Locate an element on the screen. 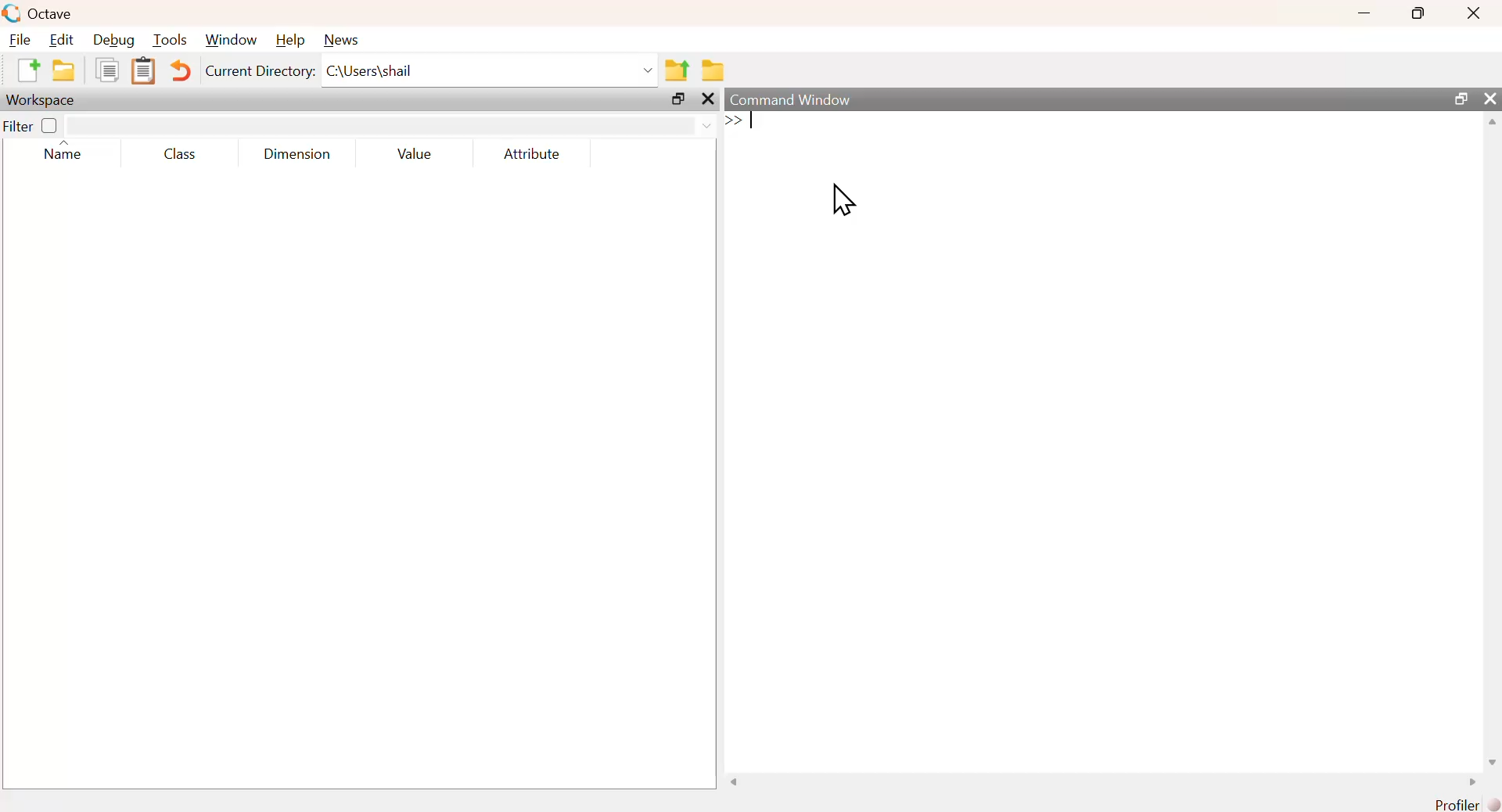 This screenshot has height=812, width=1502. current directory is located at coordinates (260, 73).